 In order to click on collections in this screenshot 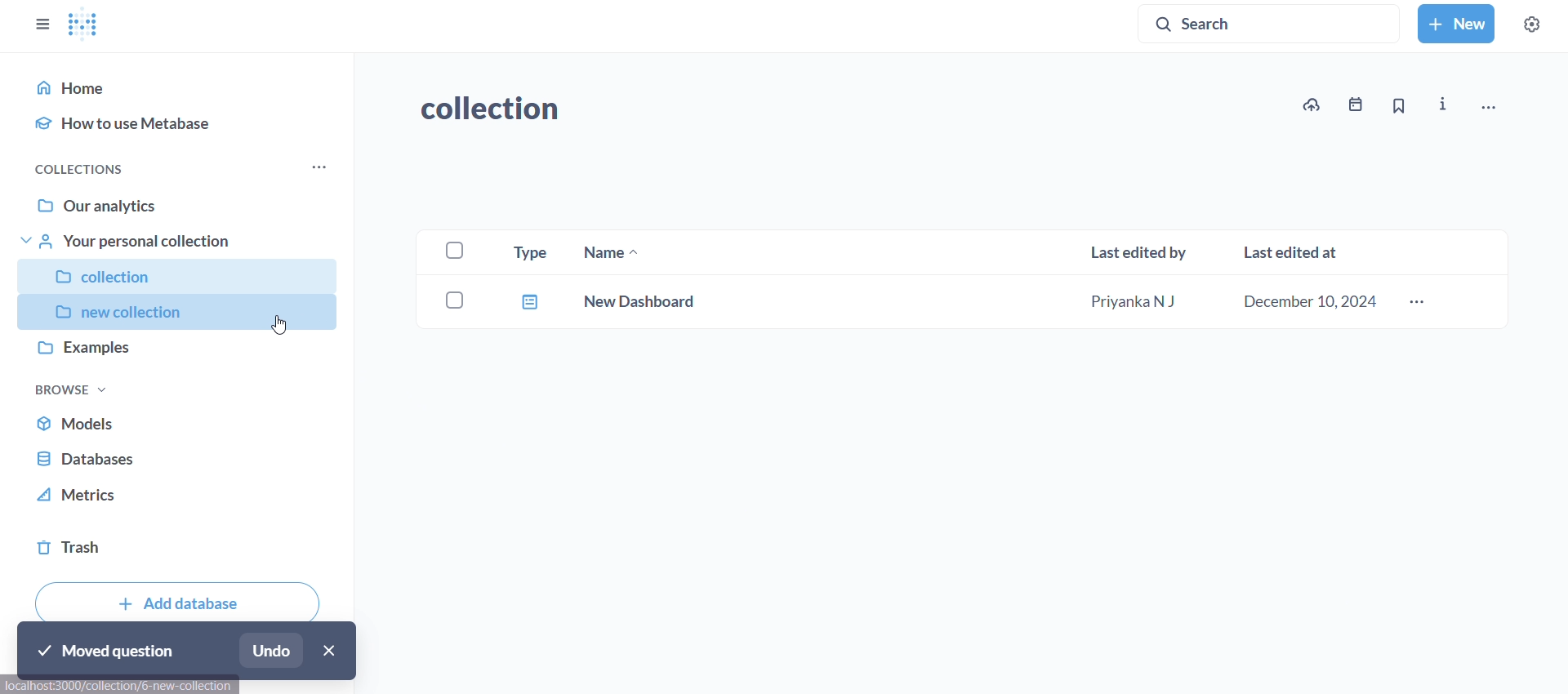, I will do `click(84, 169)`.